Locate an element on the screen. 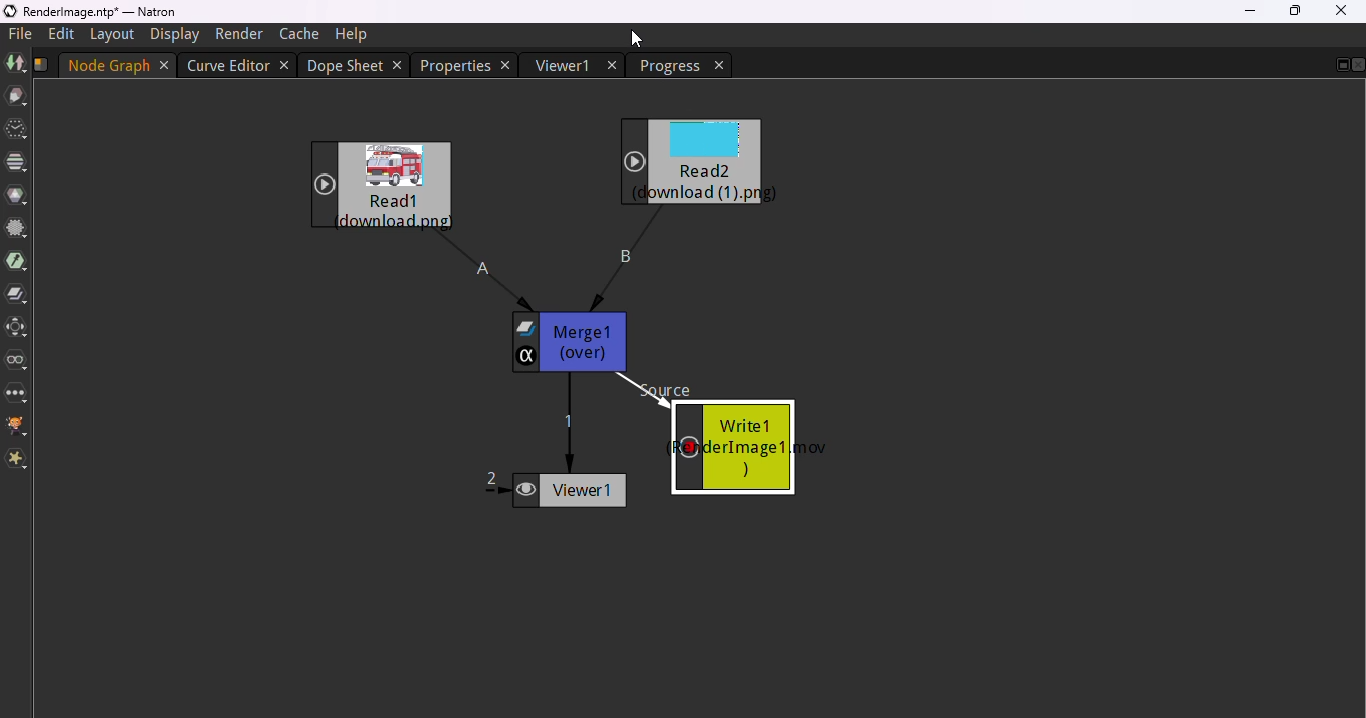 Image resolution: width=1366 pixels, height=718 pixels. keyer is located at coordinates (16, 262).